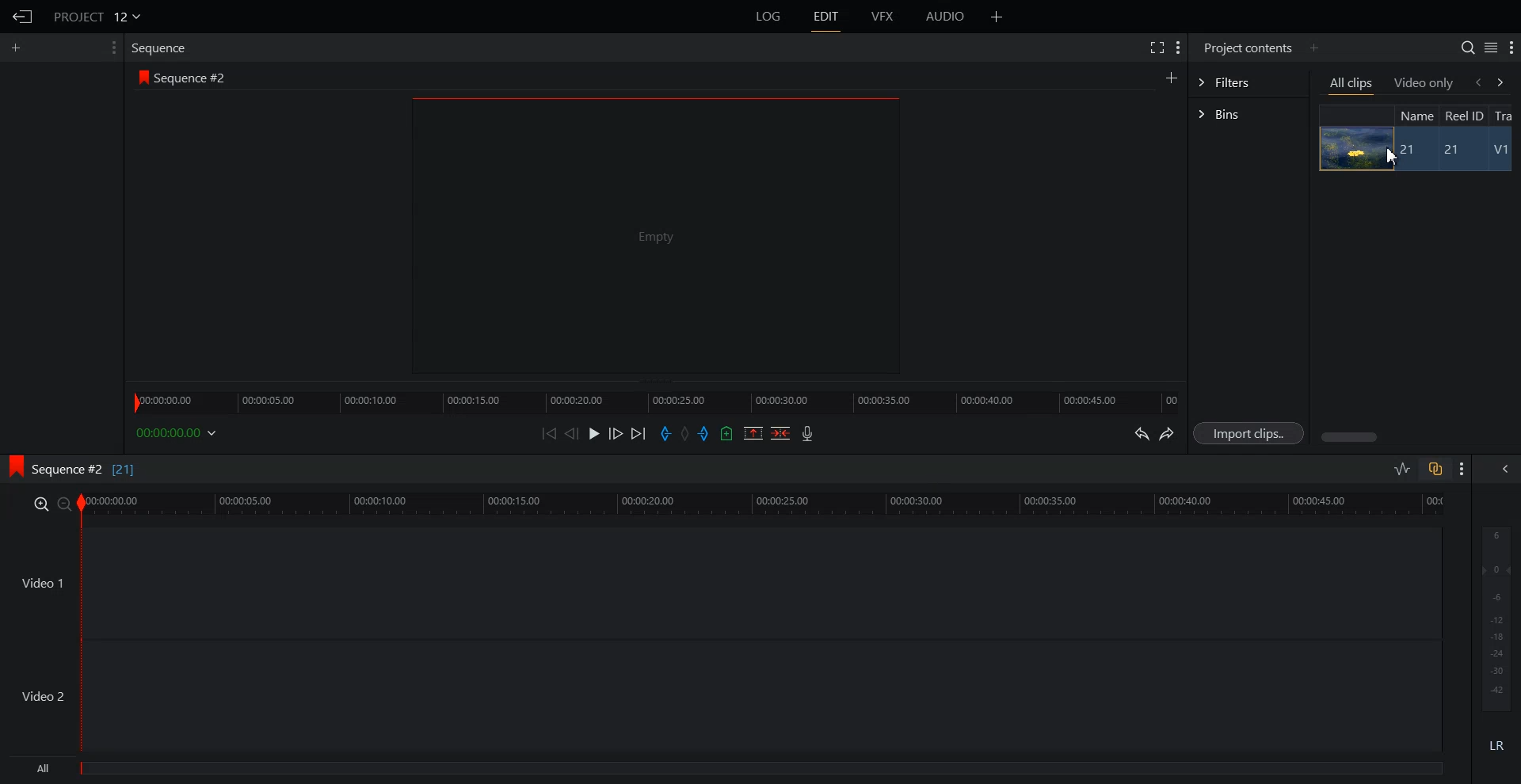 The height and width of the screenshot is (784, 1521). I want to click on Video only, so click(1424, 82).